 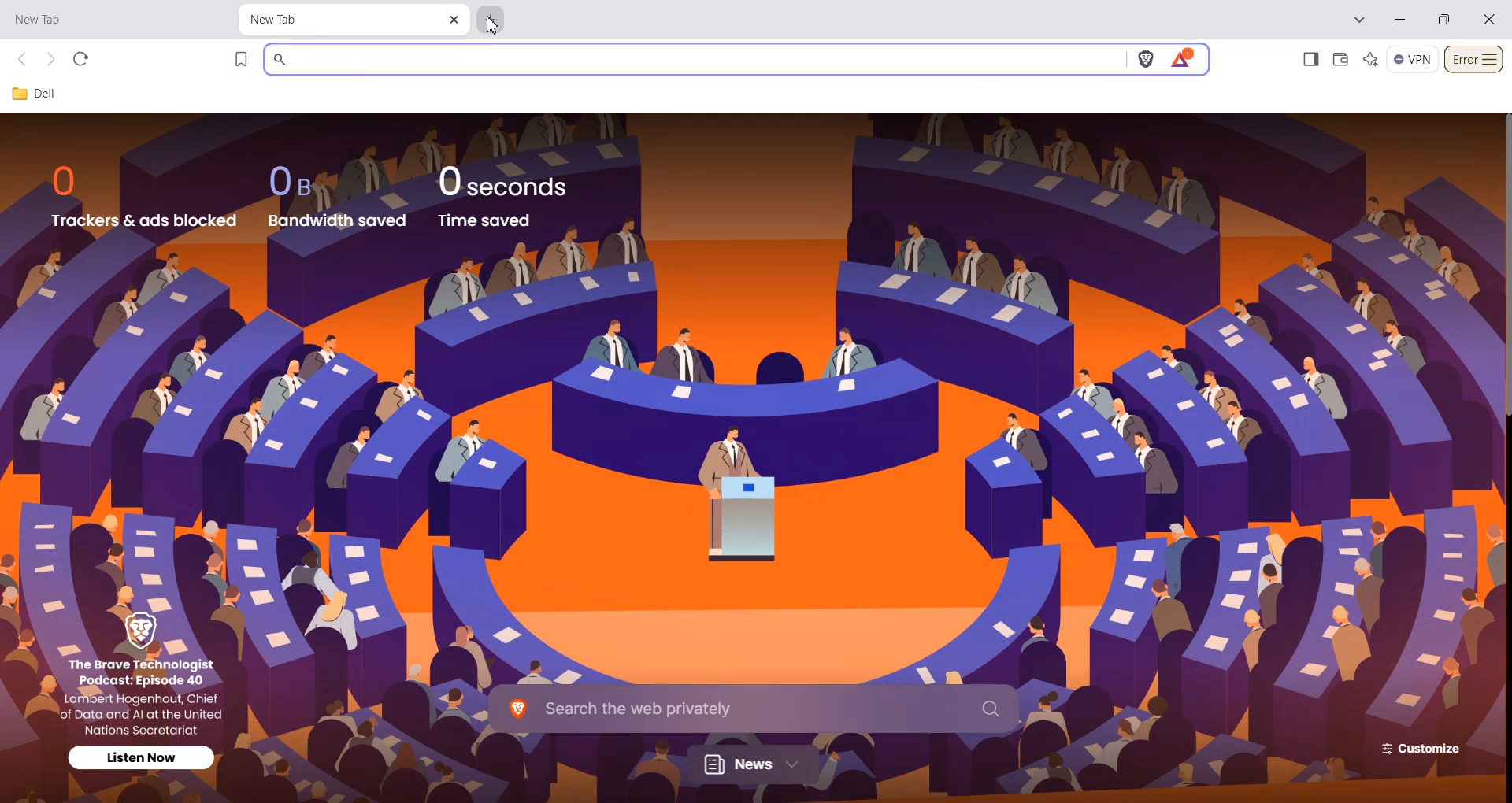 I want to click on Add new tab, so click(x=492, y=17).